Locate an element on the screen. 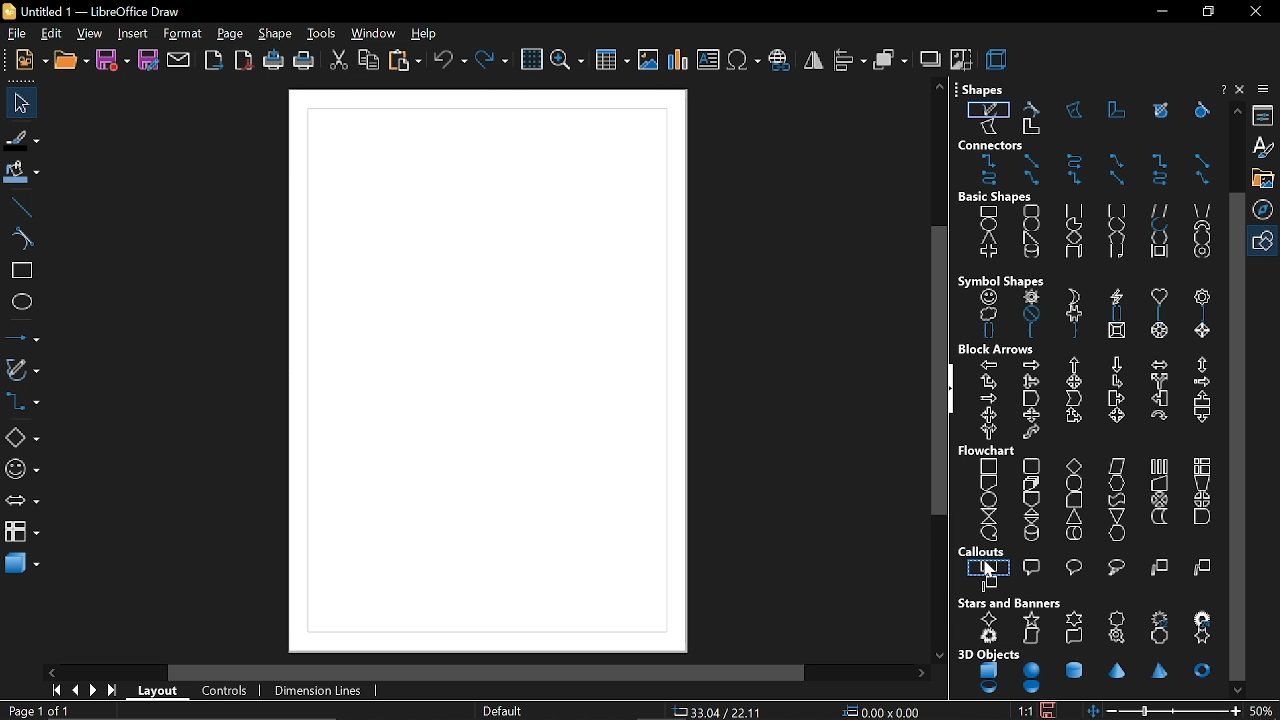  predefined process is located at coordinates (1159, 466).